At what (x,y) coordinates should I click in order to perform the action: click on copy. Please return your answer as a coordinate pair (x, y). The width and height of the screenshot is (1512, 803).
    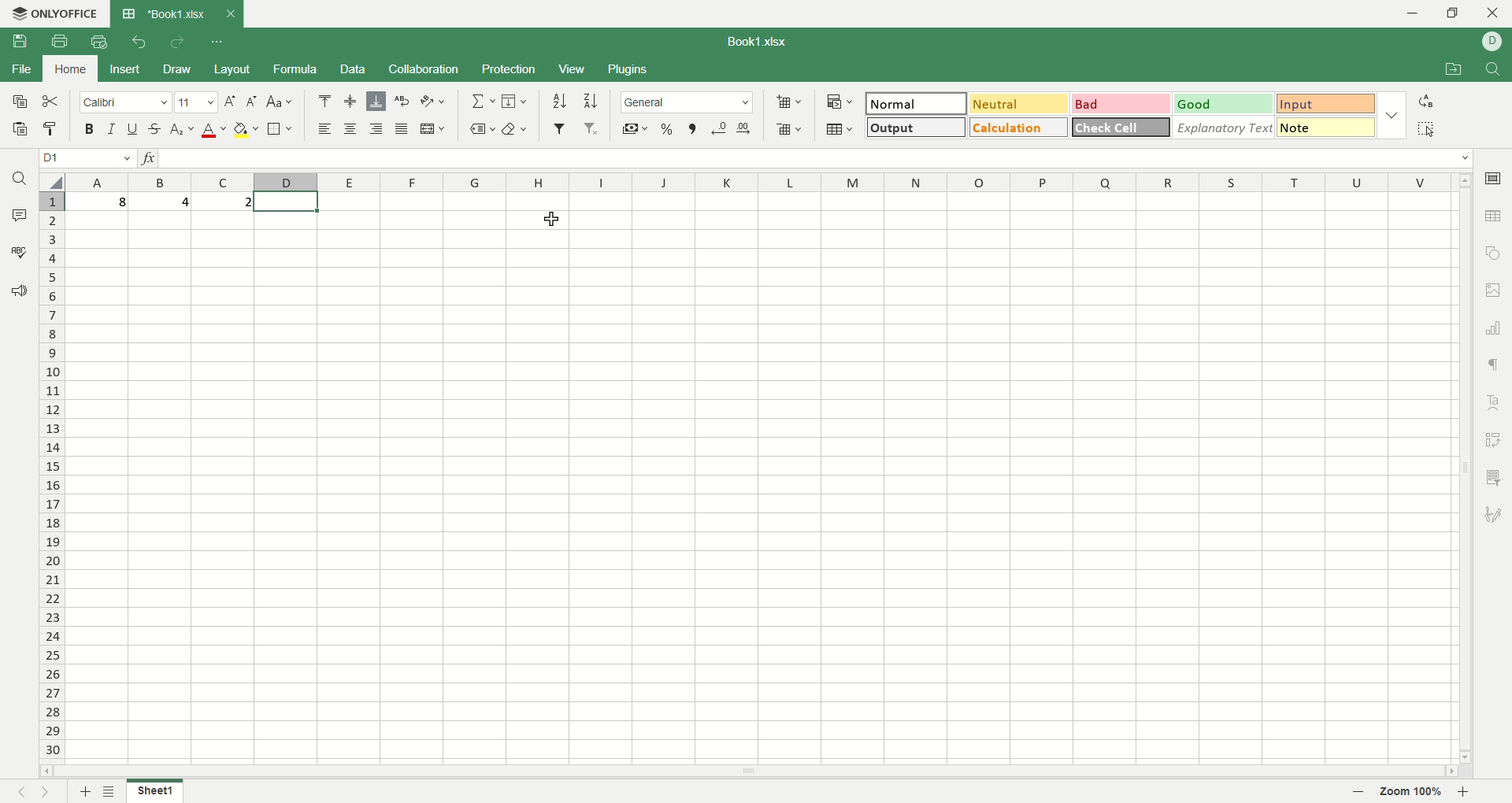
    Looking at the image, I should click on (20, 102).